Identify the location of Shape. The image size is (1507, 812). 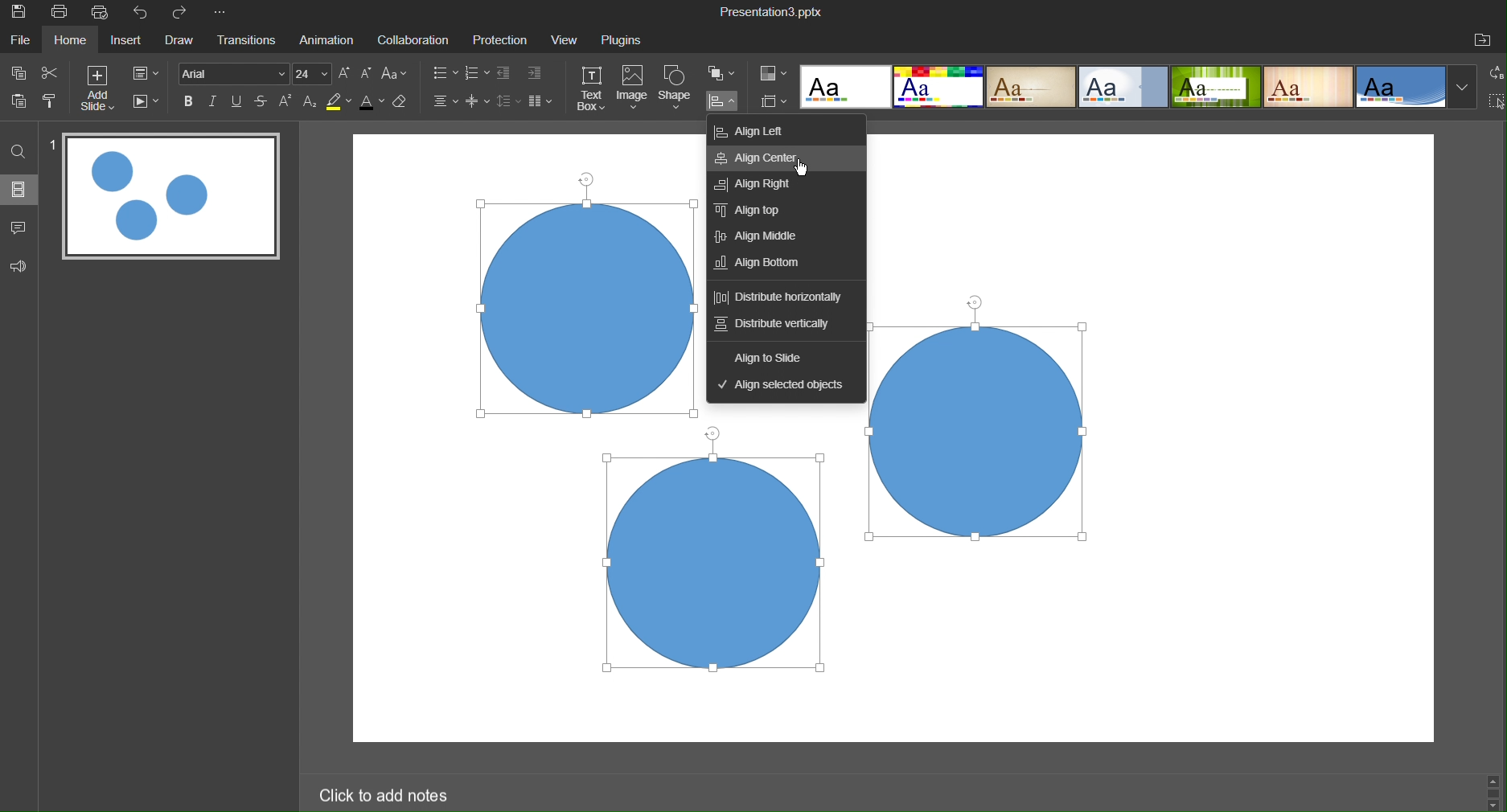
(678, 89).